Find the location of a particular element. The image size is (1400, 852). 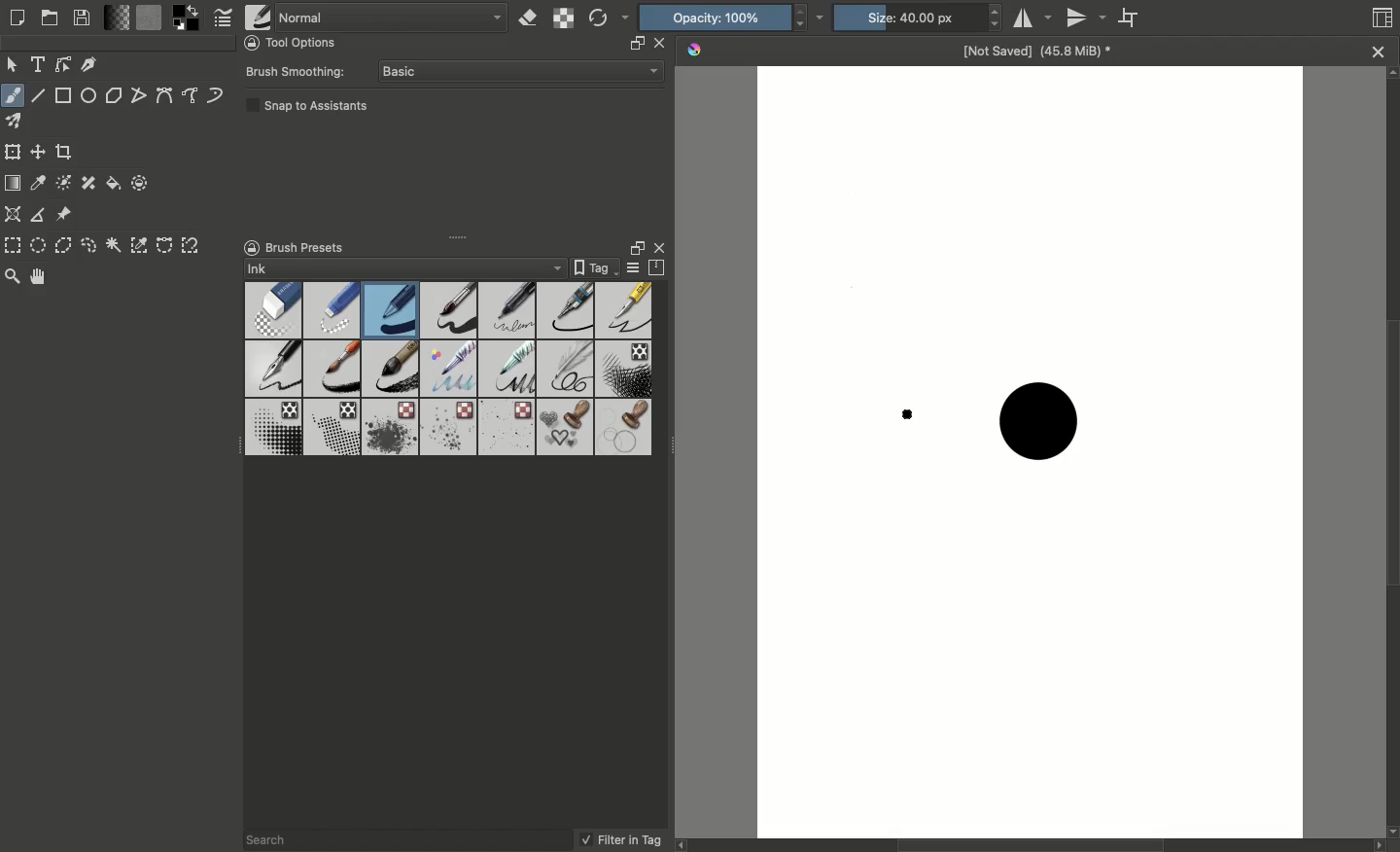

close is located at coordinates (659, 44).